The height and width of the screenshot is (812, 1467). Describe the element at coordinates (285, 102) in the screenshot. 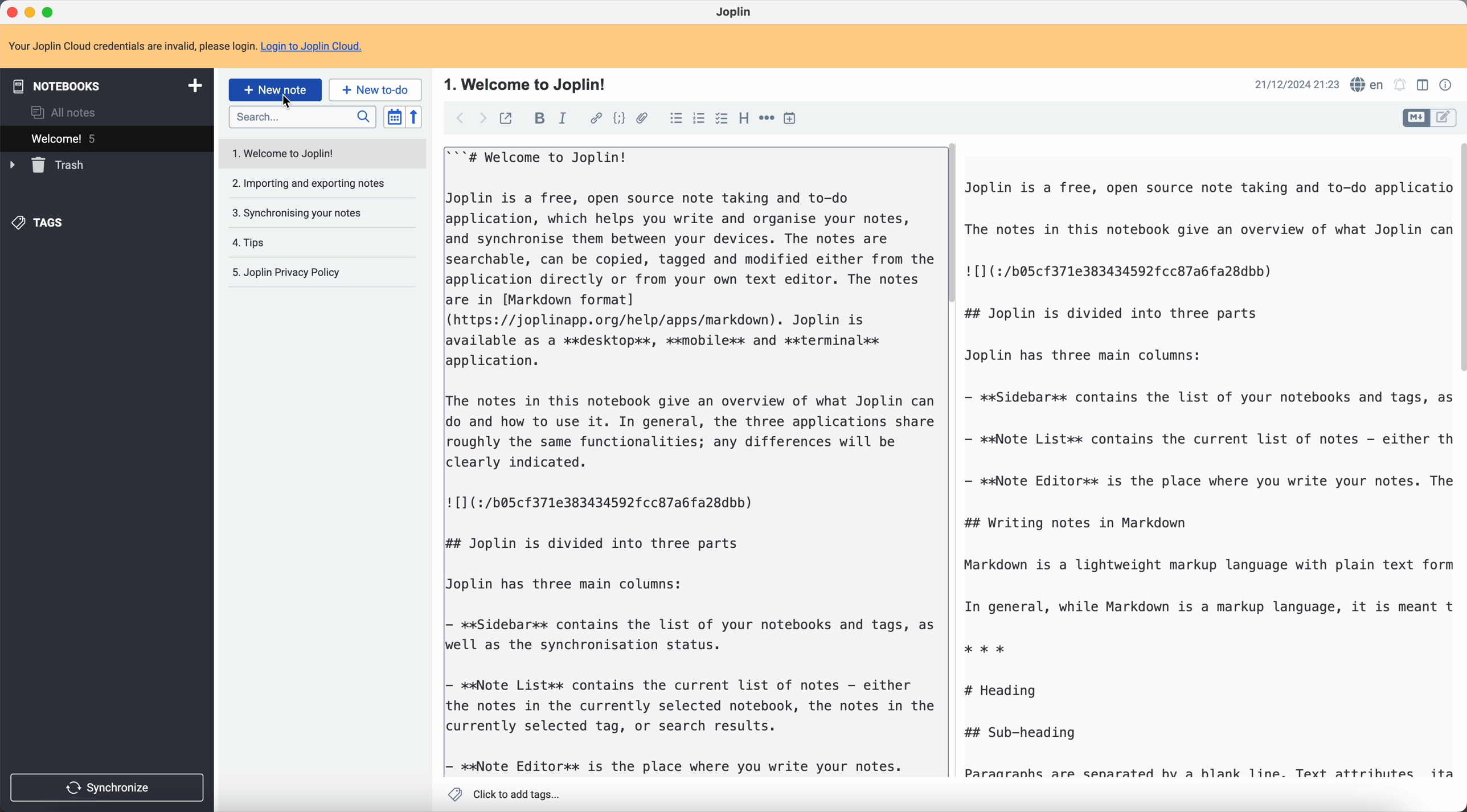

I see `Cursor` at that location.